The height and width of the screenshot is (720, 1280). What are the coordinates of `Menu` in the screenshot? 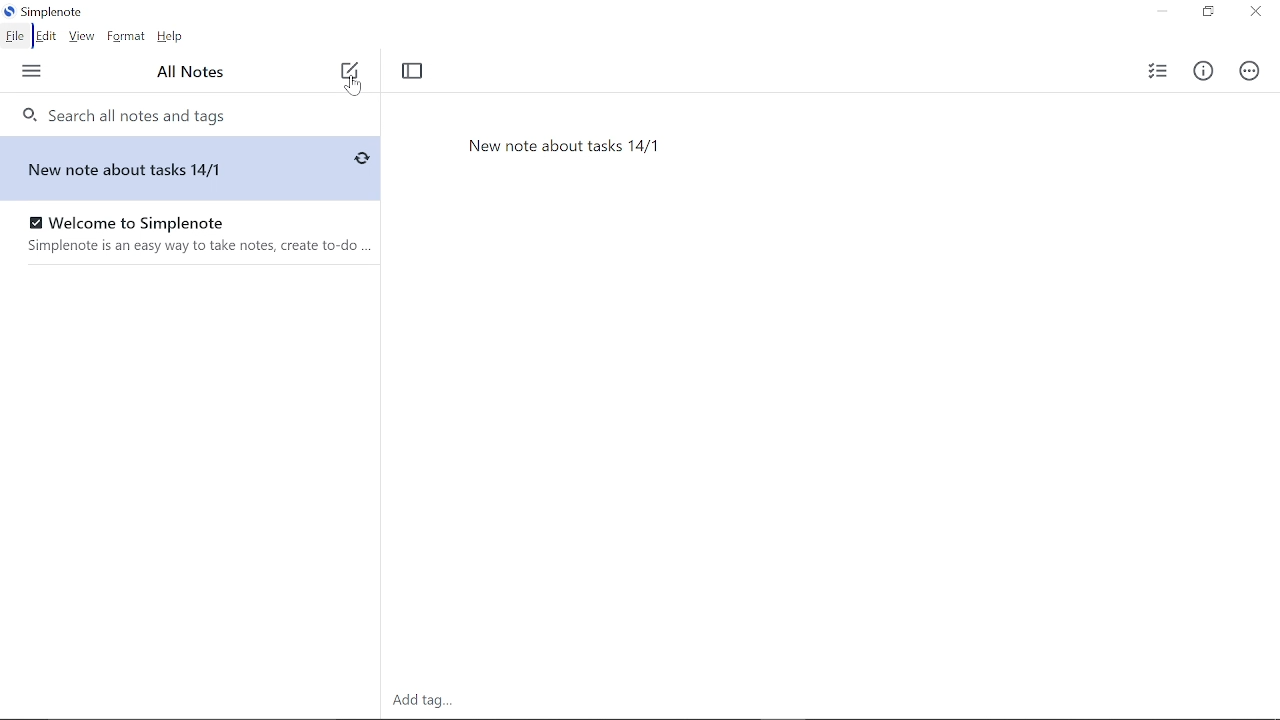 It's located at (33, 71).